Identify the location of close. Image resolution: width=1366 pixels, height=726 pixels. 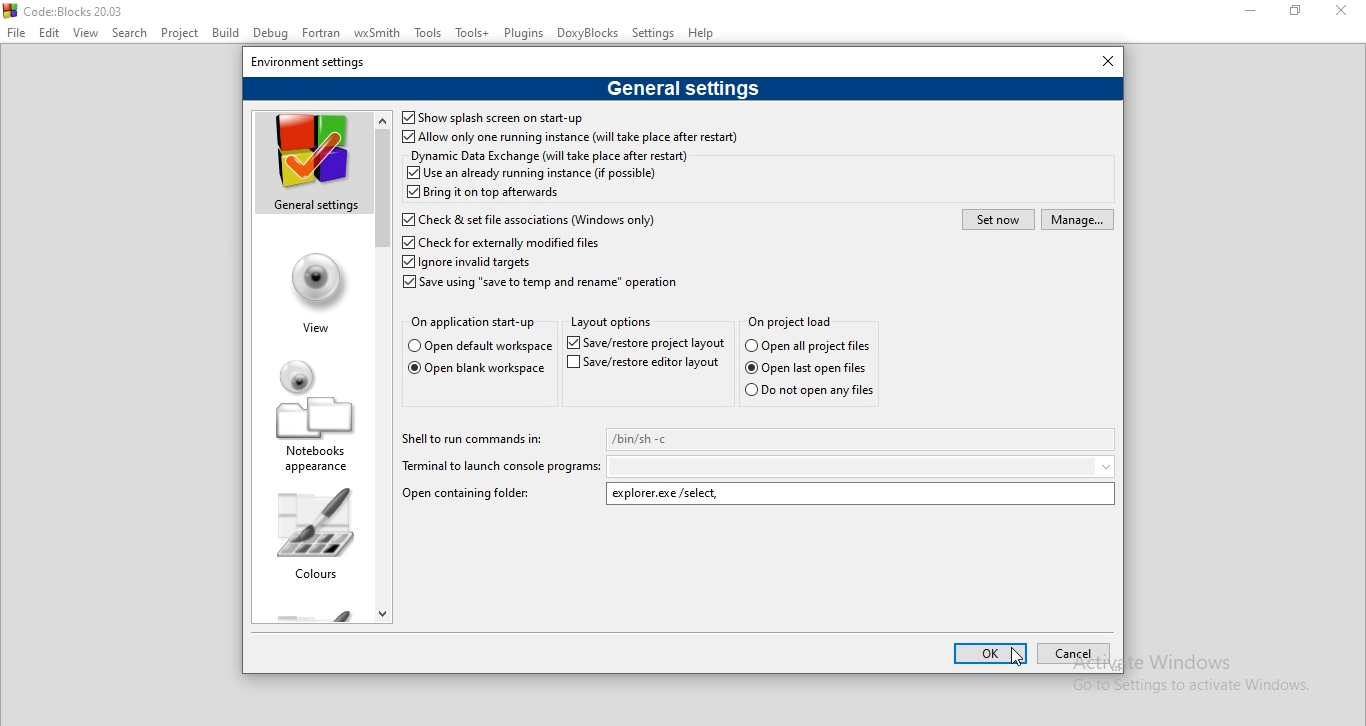
(1346, 15).